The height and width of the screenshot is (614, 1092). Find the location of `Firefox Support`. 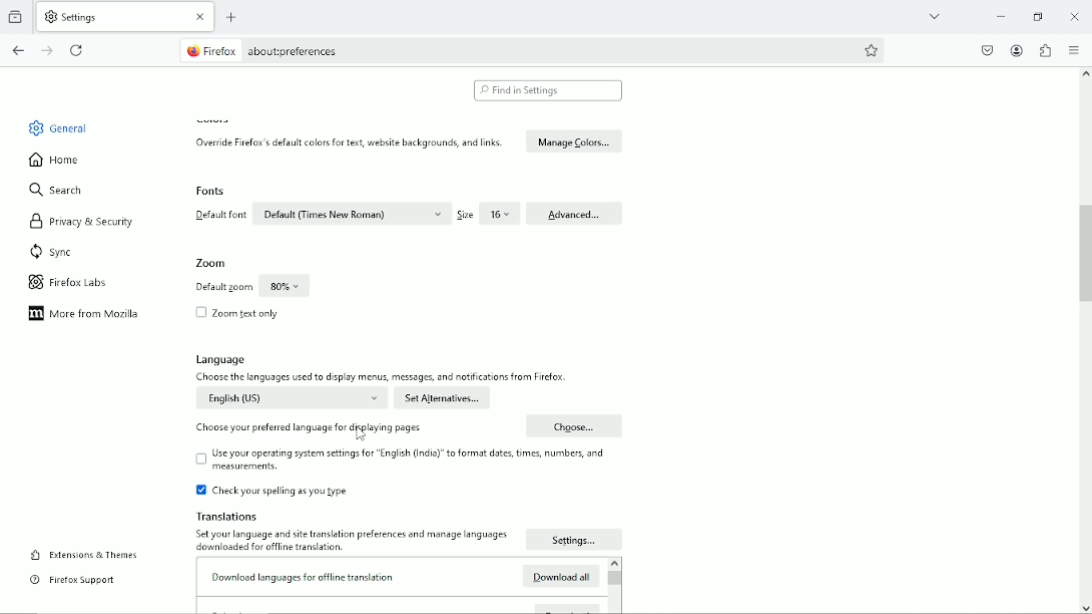

Firefox Support is located at coordinates (88, 579).